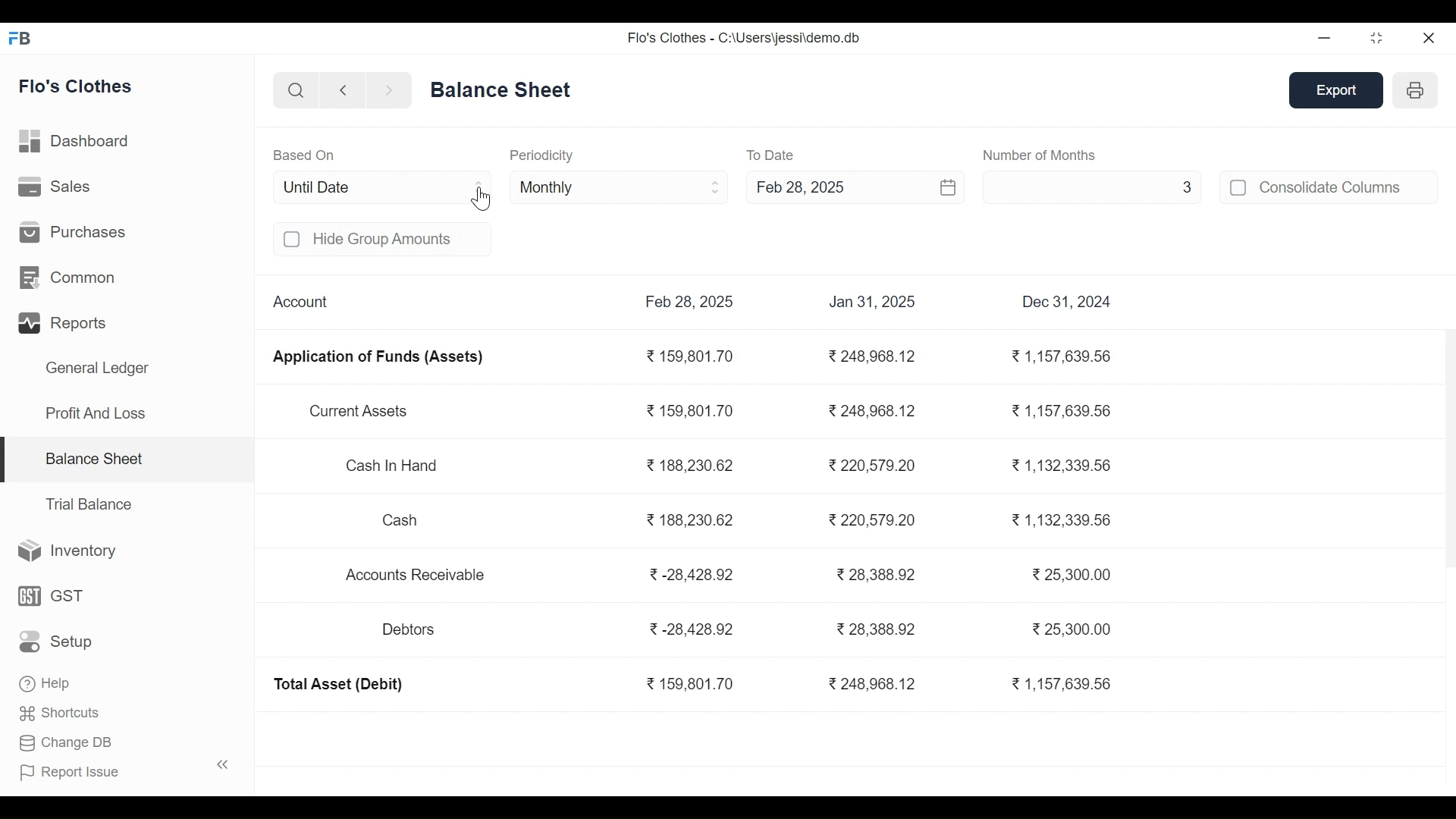 This screenshot has height=819, width=1456. Describe the element at coordinates (484, 199) in the screenshot. I see `cursor` at that location.